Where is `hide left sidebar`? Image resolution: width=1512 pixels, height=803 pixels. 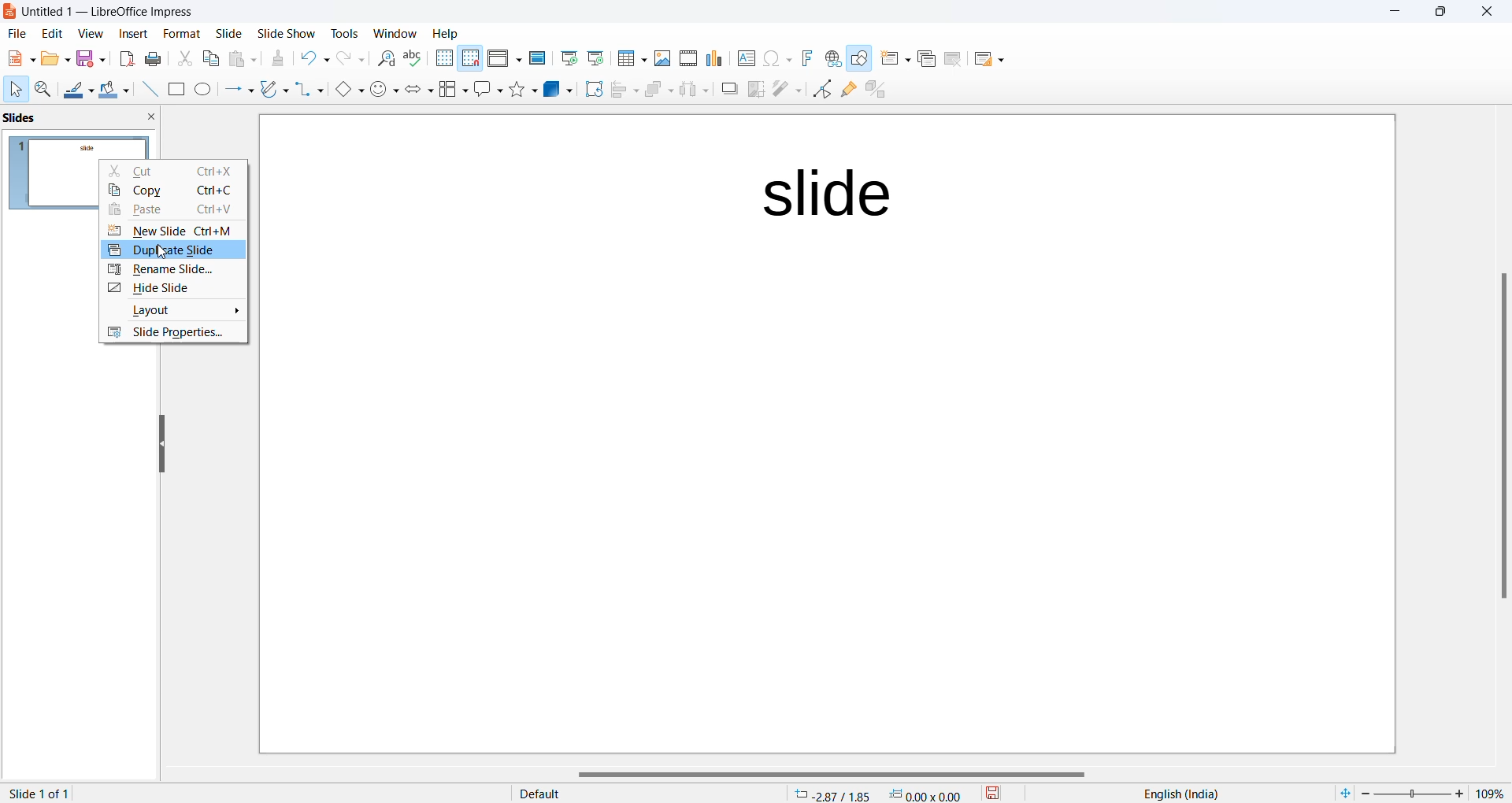
hide left sidebar is located at coordinates (163, 442).